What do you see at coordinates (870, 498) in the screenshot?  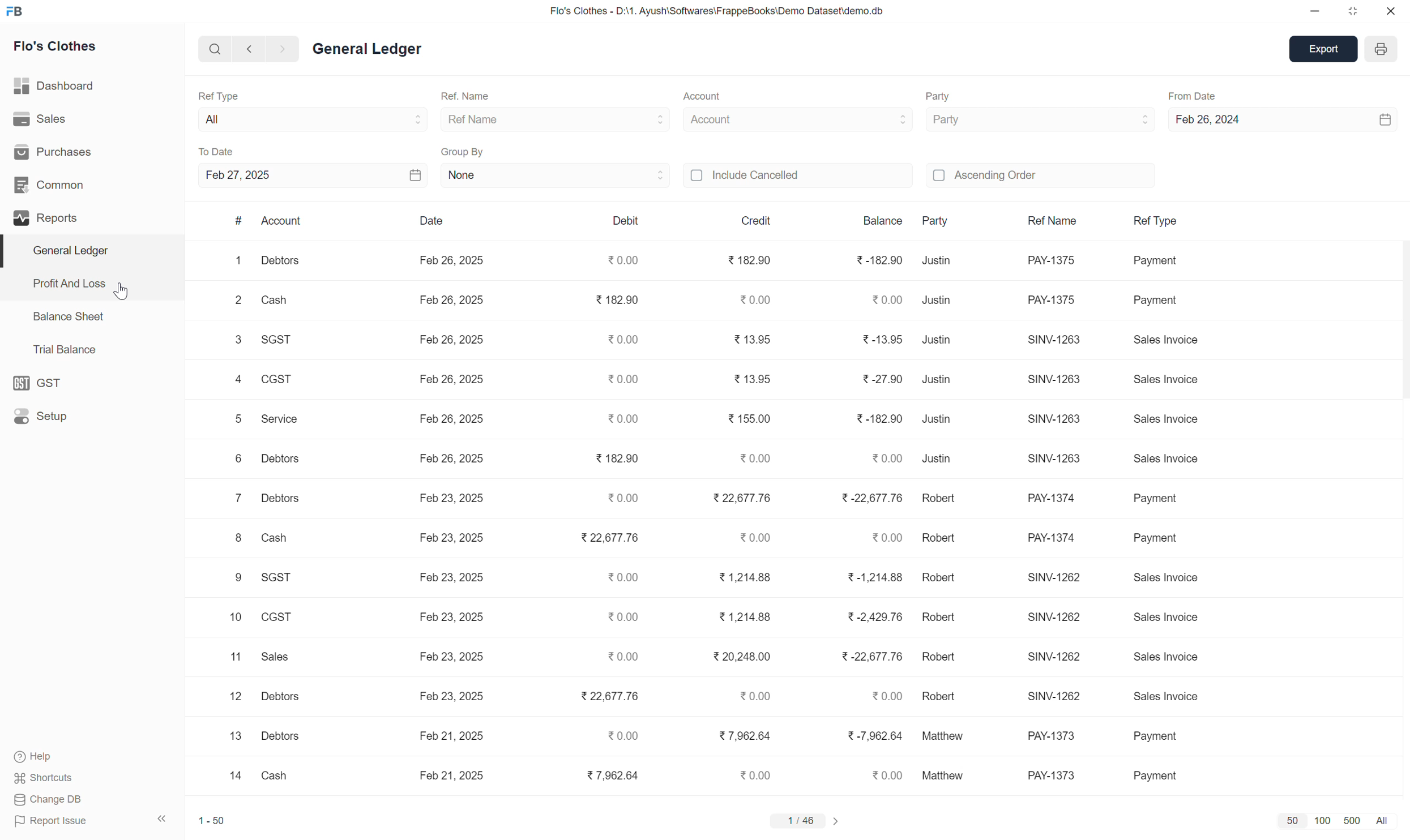 I see `₹-22,677.76` at bounding box center [870, 498].